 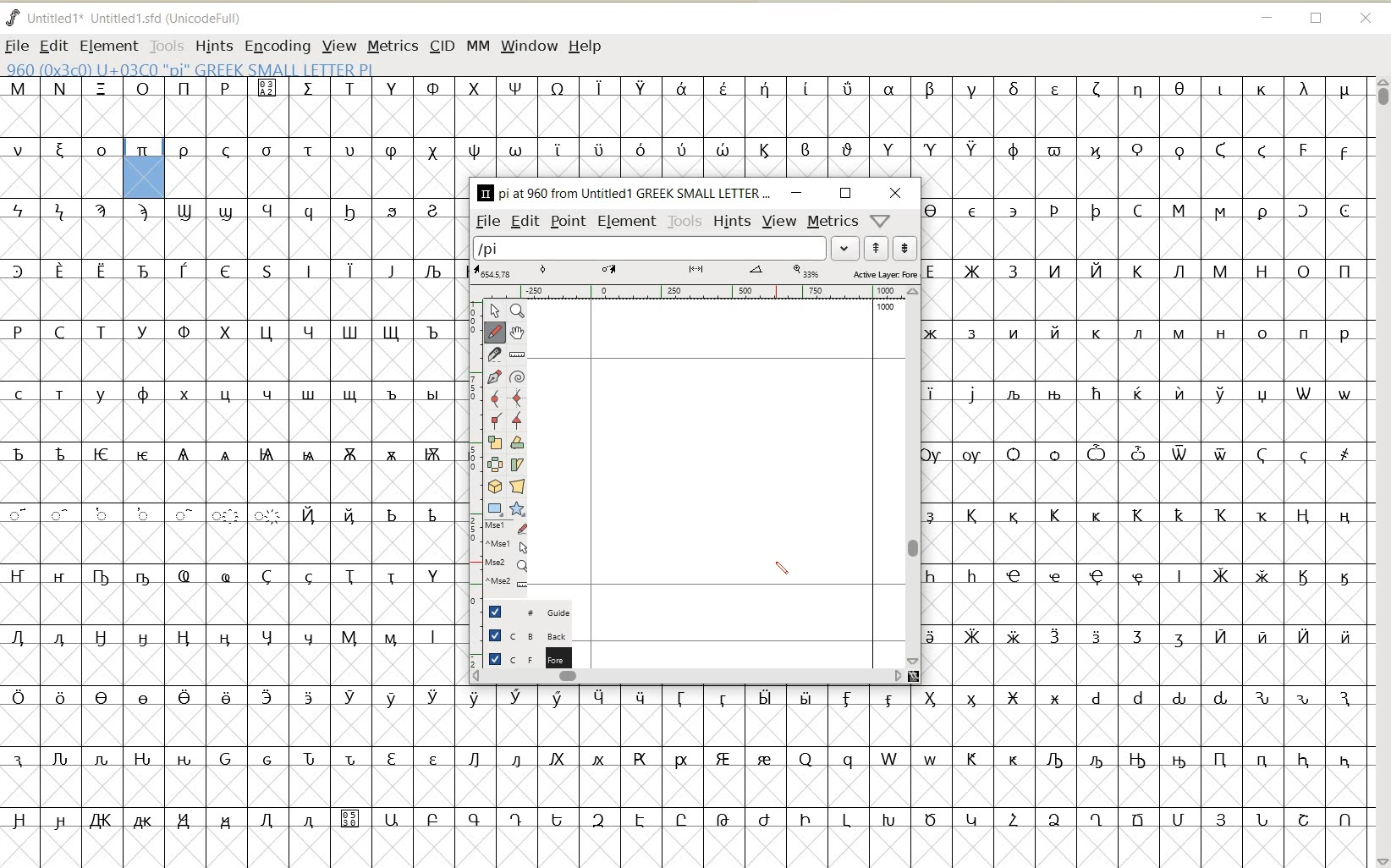 I want to click on HINTS, so click(x=212, y=47).